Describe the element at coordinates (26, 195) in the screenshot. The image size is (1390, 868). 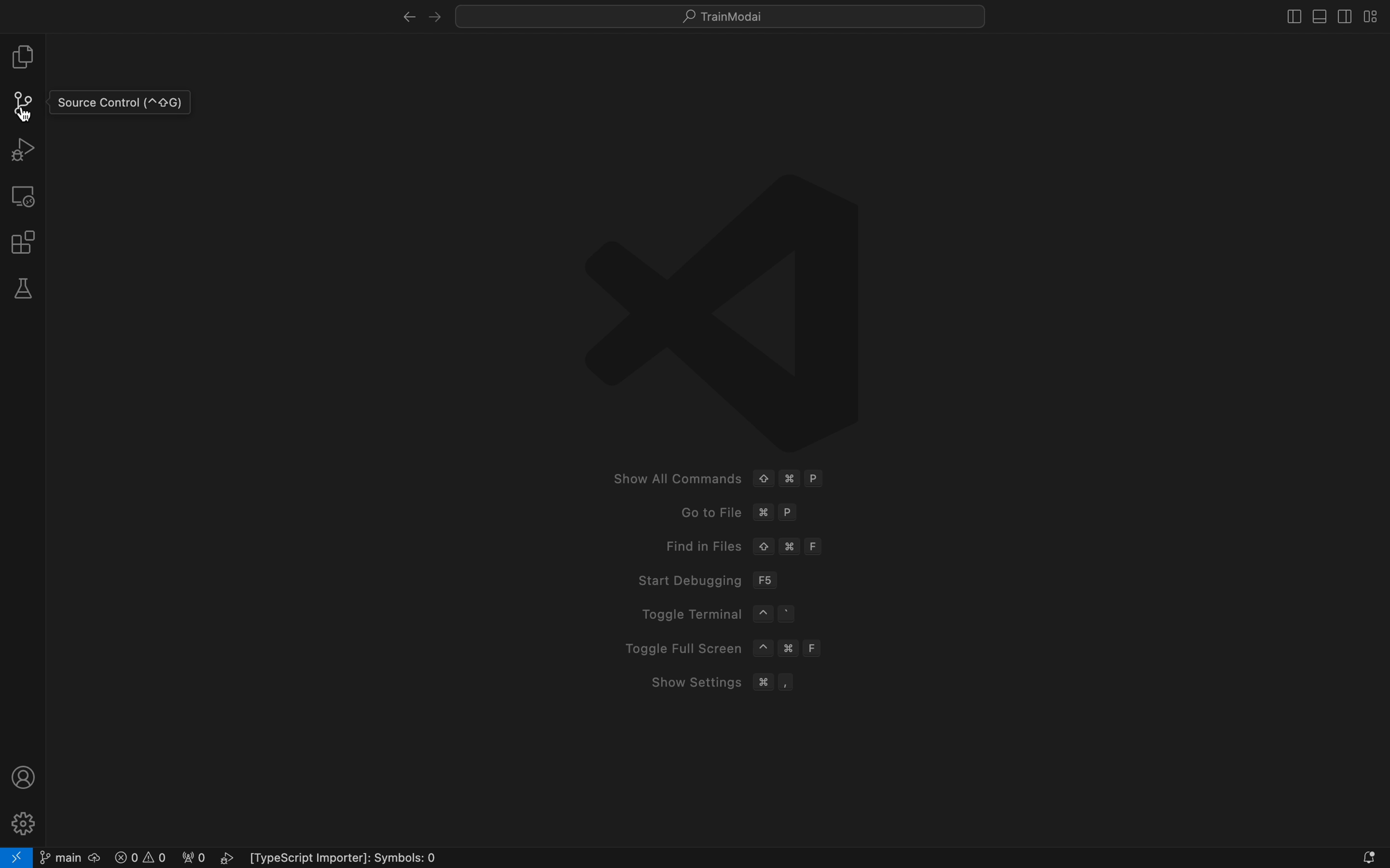
I see `remote` at that location.